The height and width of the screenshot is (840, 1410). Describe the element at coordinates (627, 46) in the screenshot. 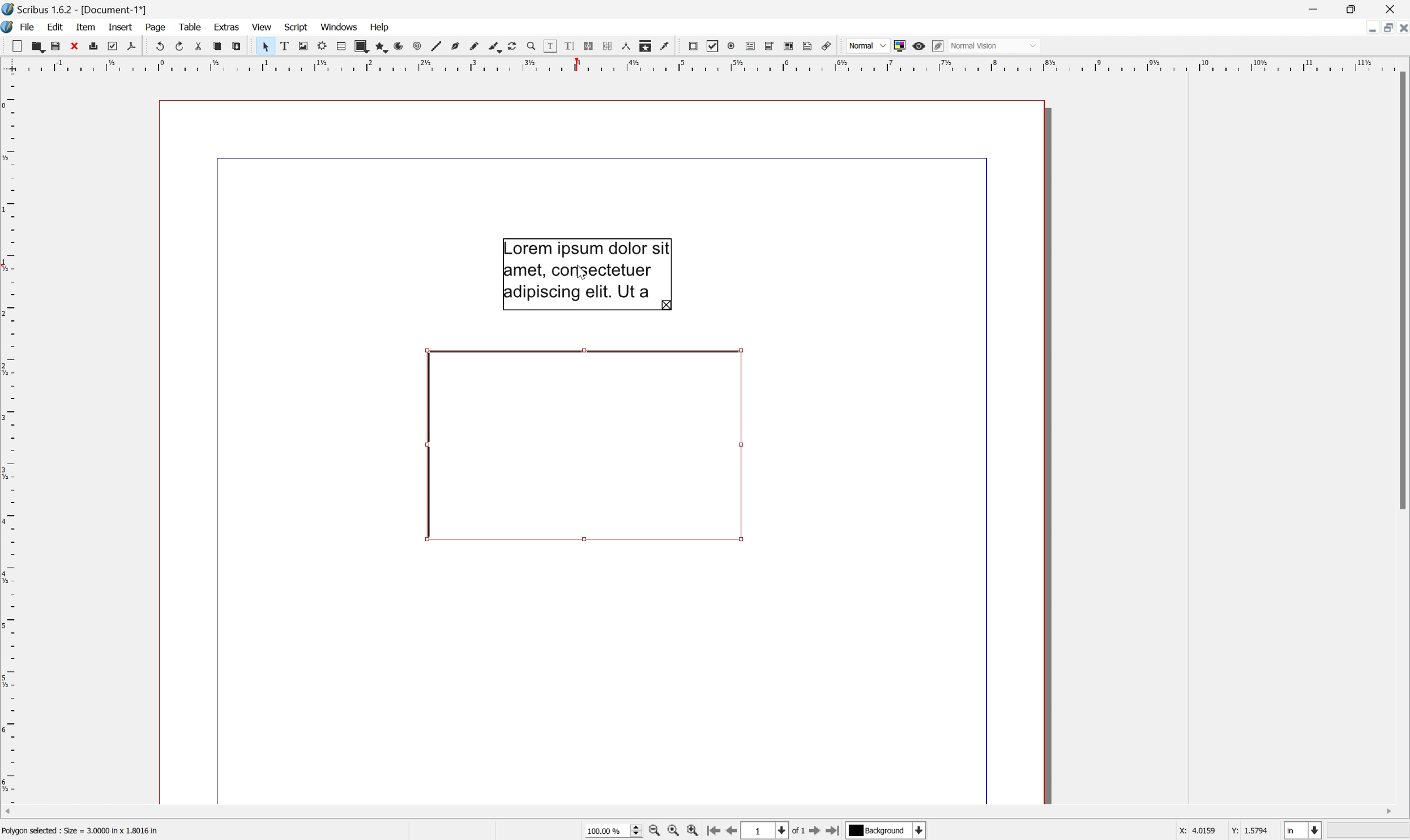

I see `Measurements` at that location.